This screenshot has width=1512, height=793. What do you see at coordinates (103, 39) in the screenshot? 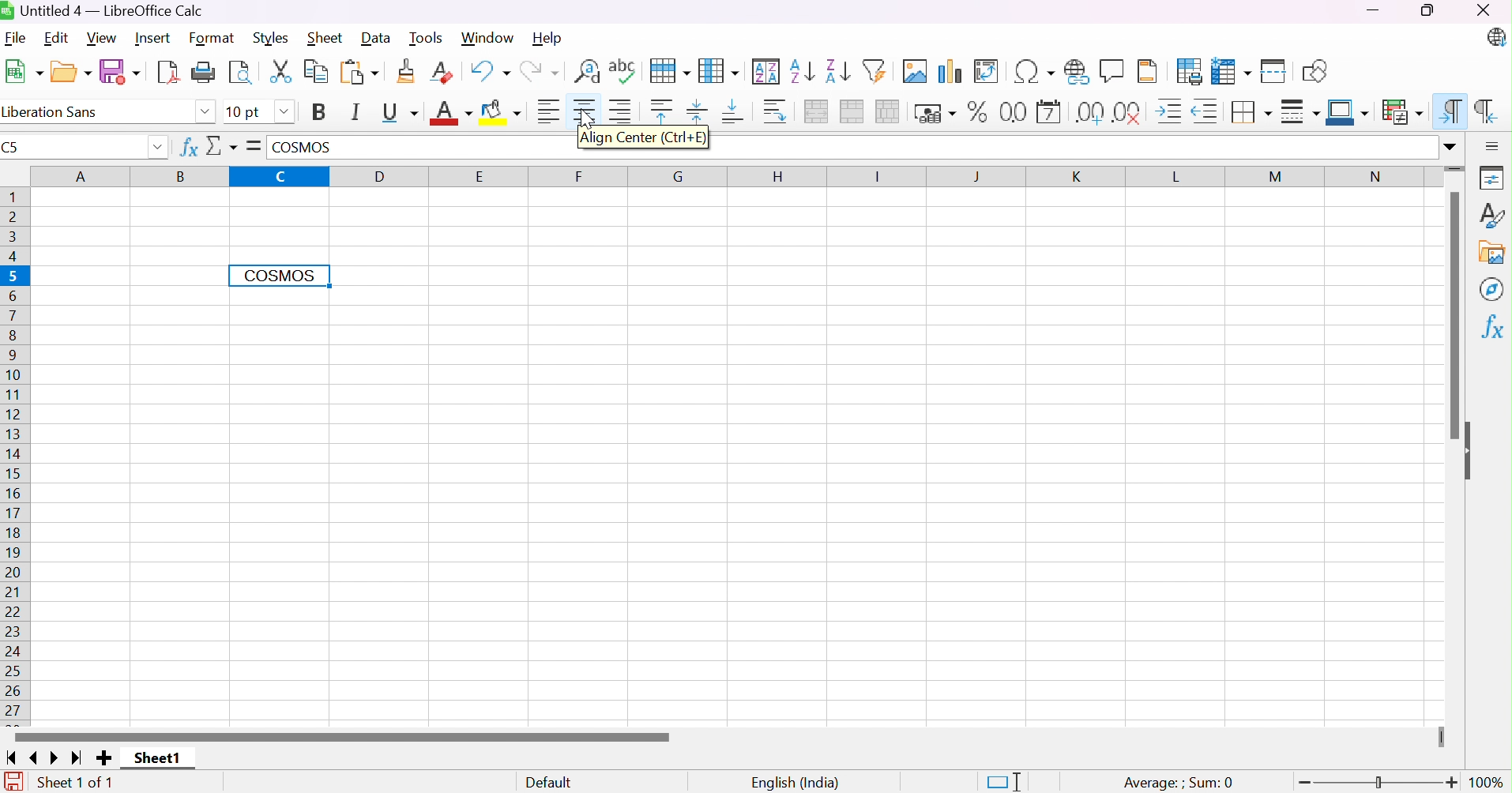
I see `View` at bounding box center [103, 39].